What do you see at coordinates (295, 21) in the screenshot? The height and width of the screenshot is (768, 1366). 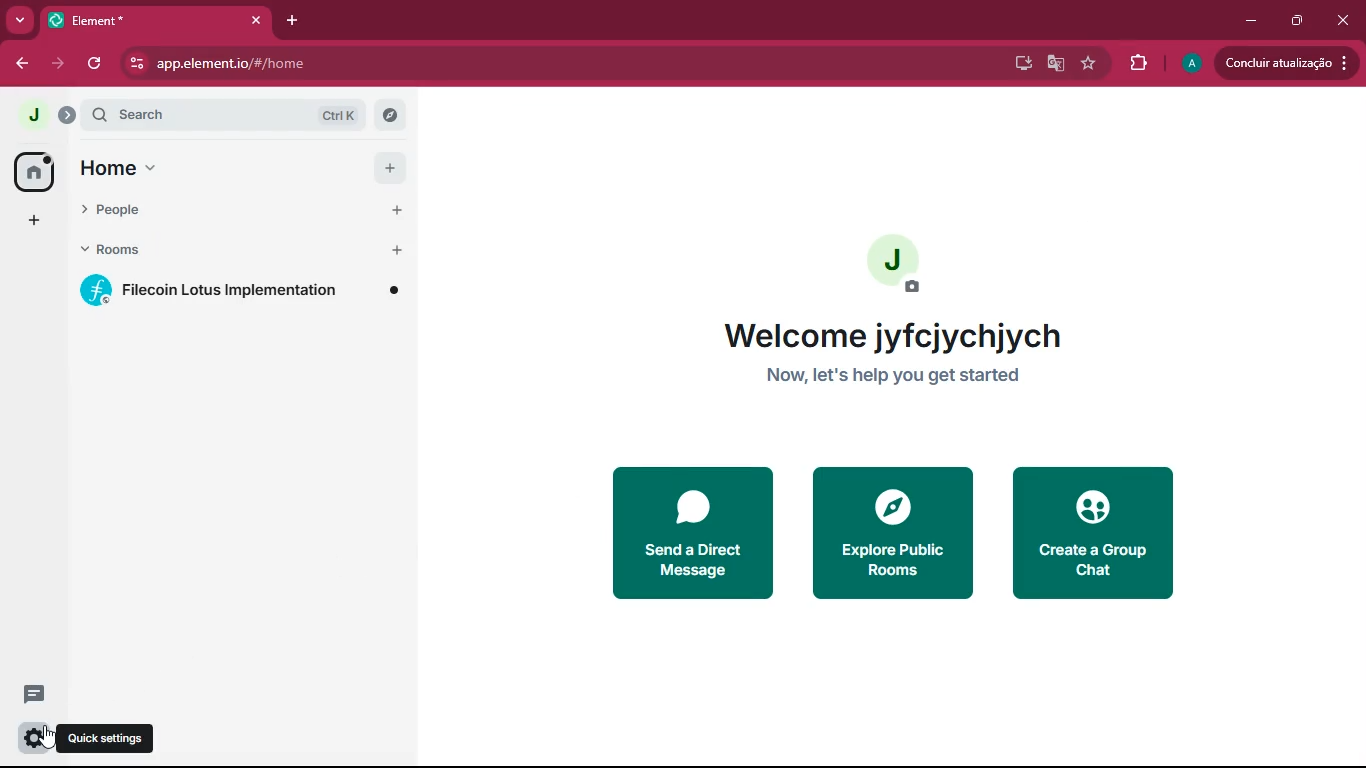 I see `add tab` at bounding box center [295, 21].